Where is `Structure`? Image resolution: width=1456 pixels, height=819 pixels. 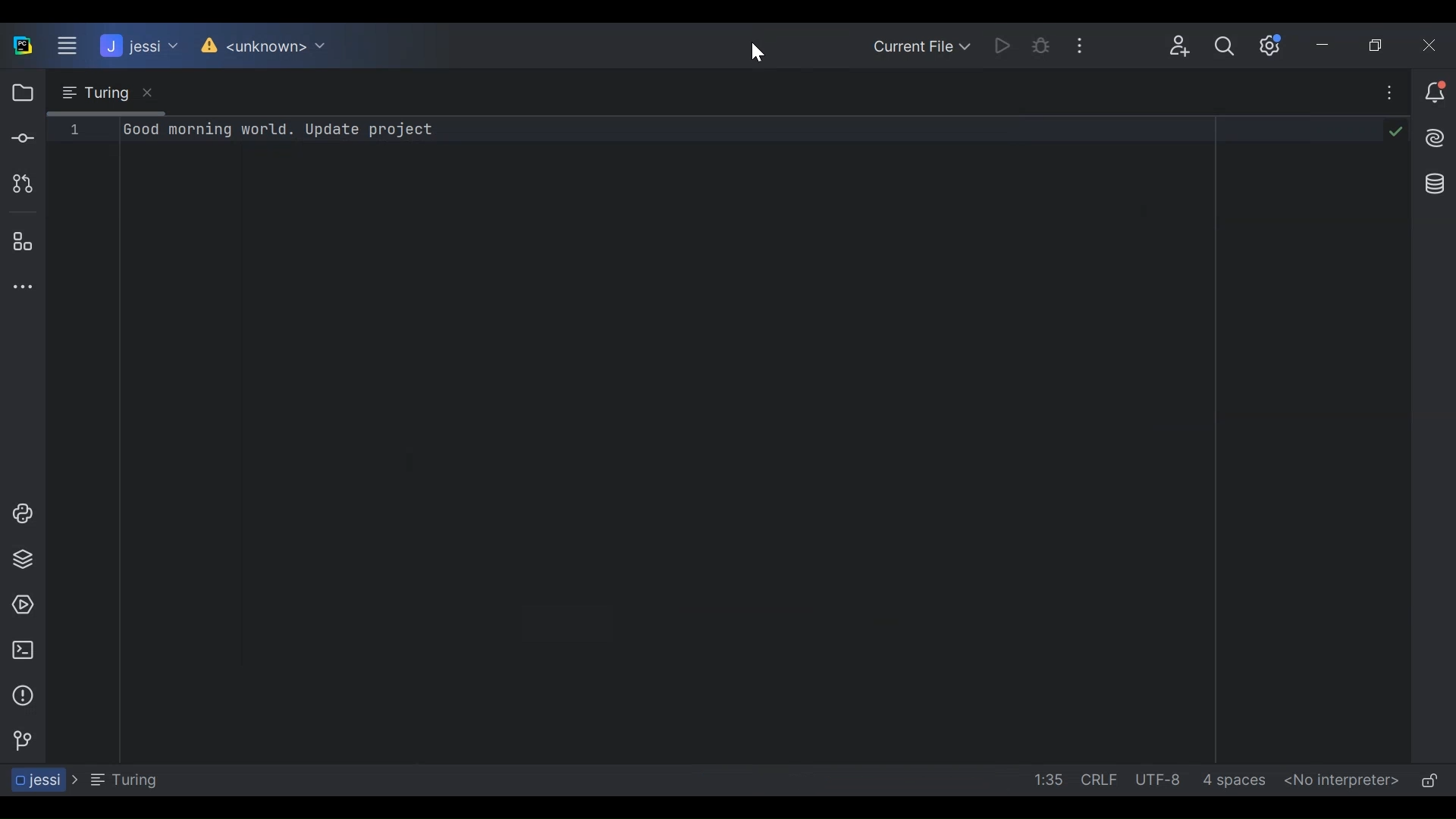
Structure is located at coordinates (21, 243).